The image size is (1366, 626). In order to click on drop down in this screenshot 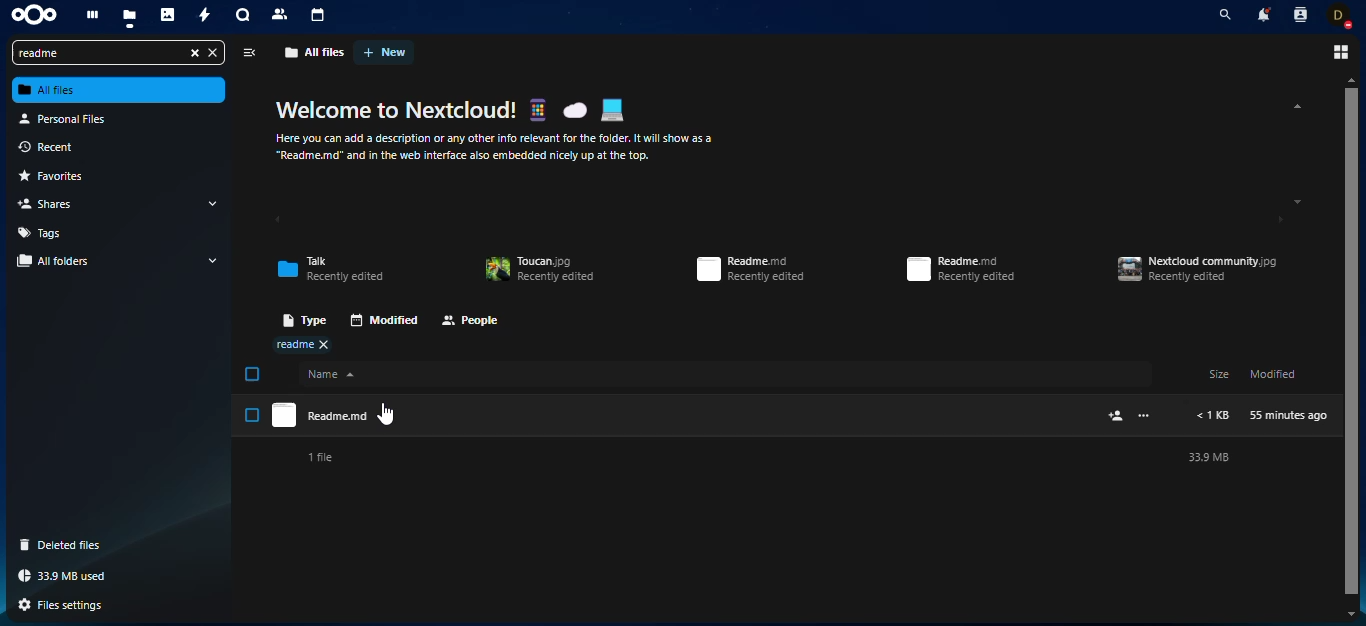, I will do `click(214, 260)`.